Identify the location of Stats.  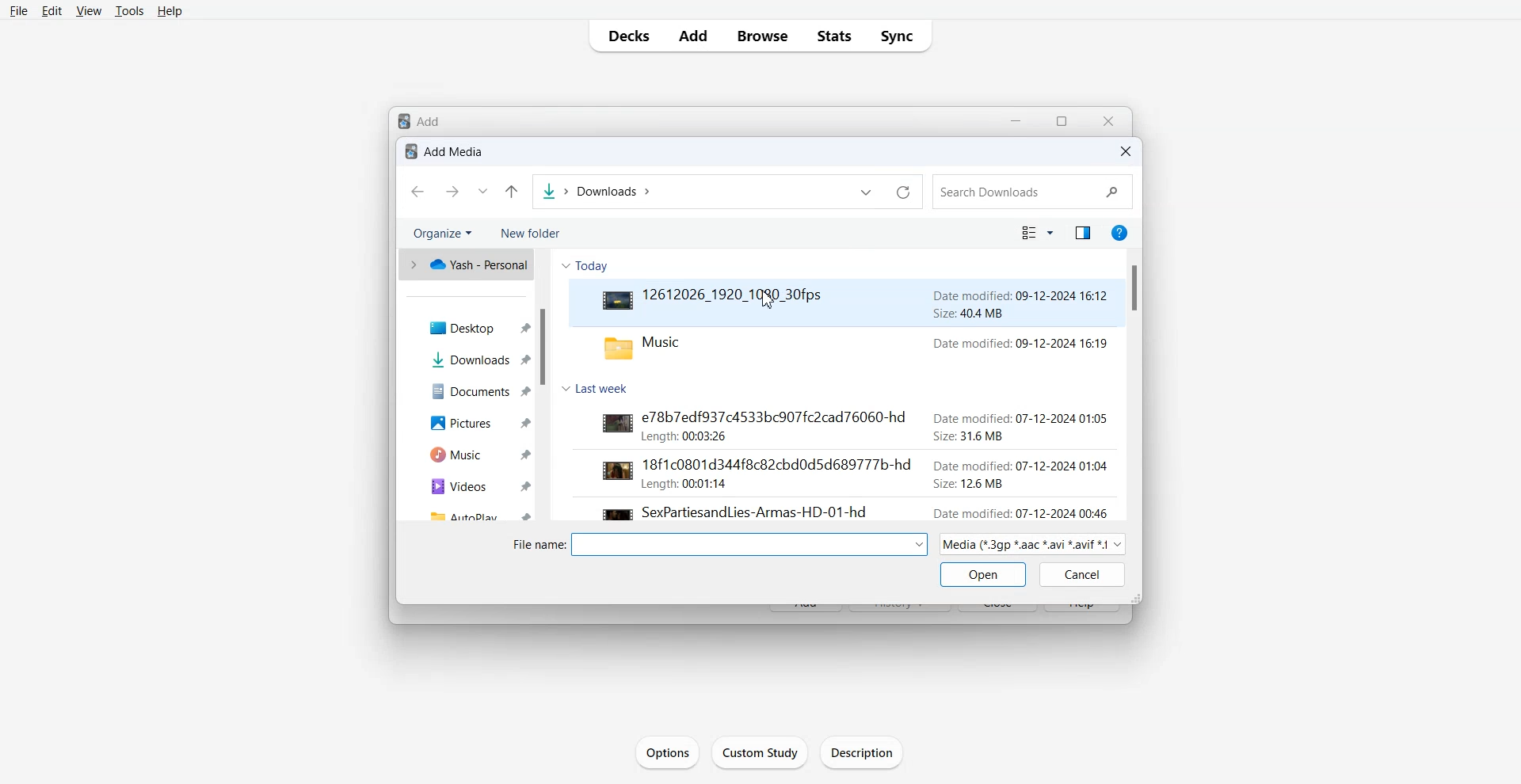
(832, 36).